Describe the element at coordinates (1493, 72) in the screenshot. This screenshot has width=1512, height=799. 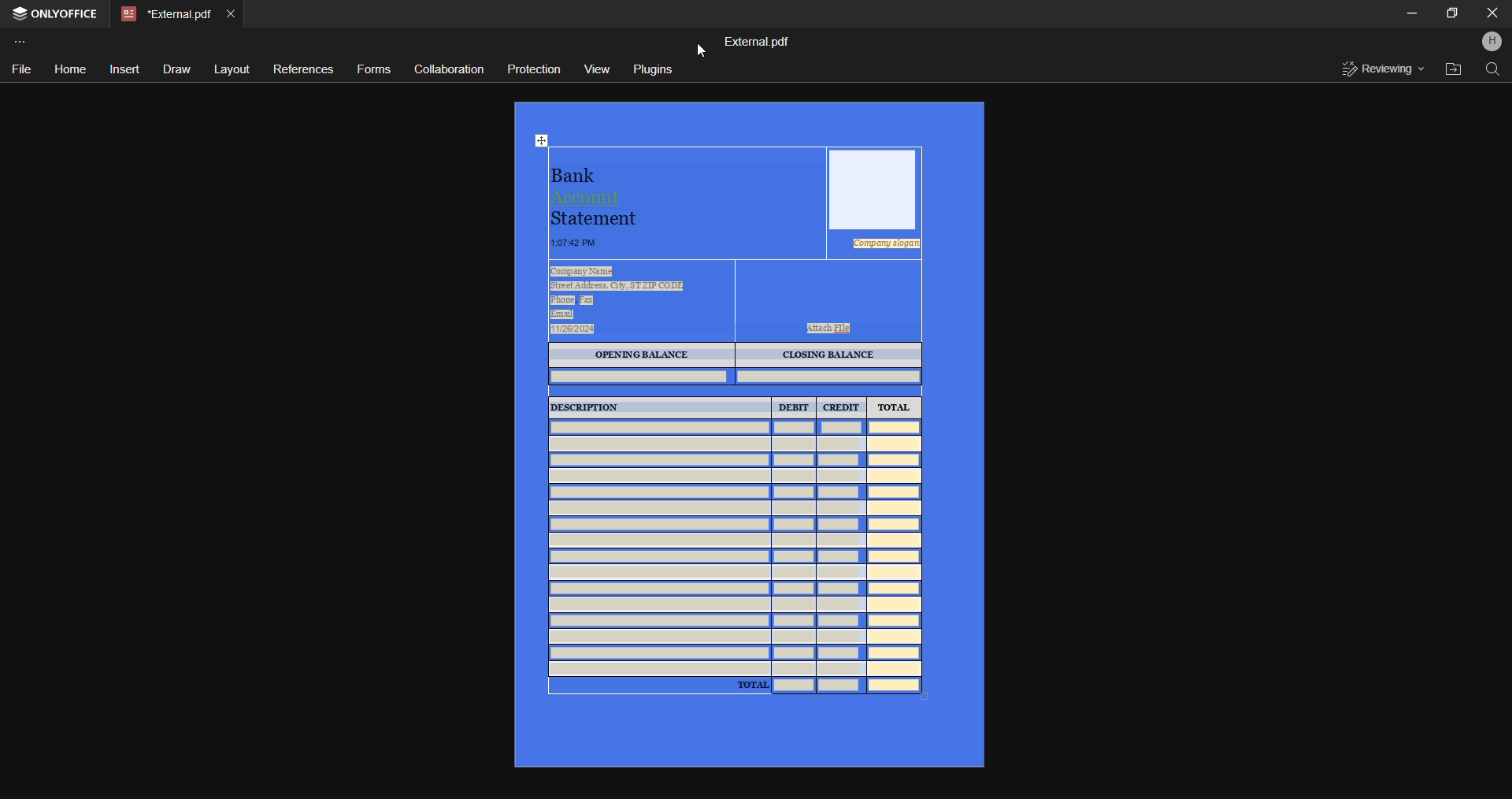
I see `Find` at that location.